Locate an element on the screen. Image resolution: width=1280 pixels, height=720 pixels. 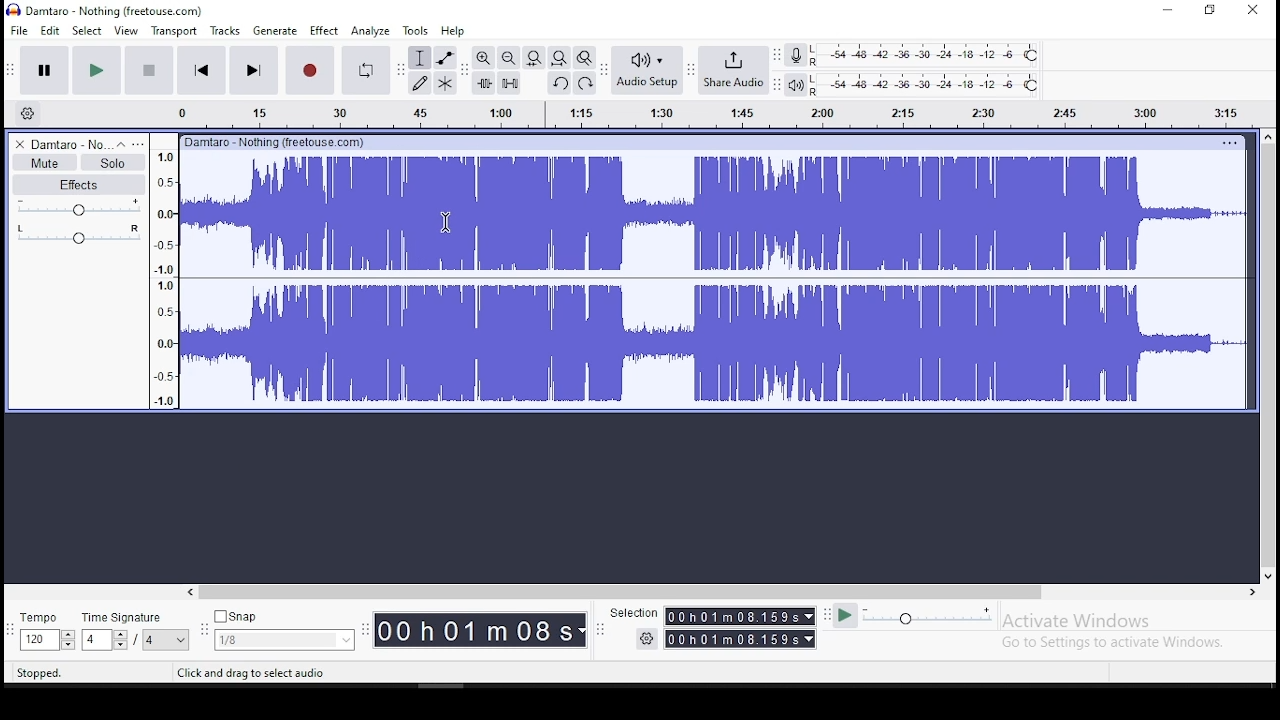
share audio is located at coordinates (734, 70).